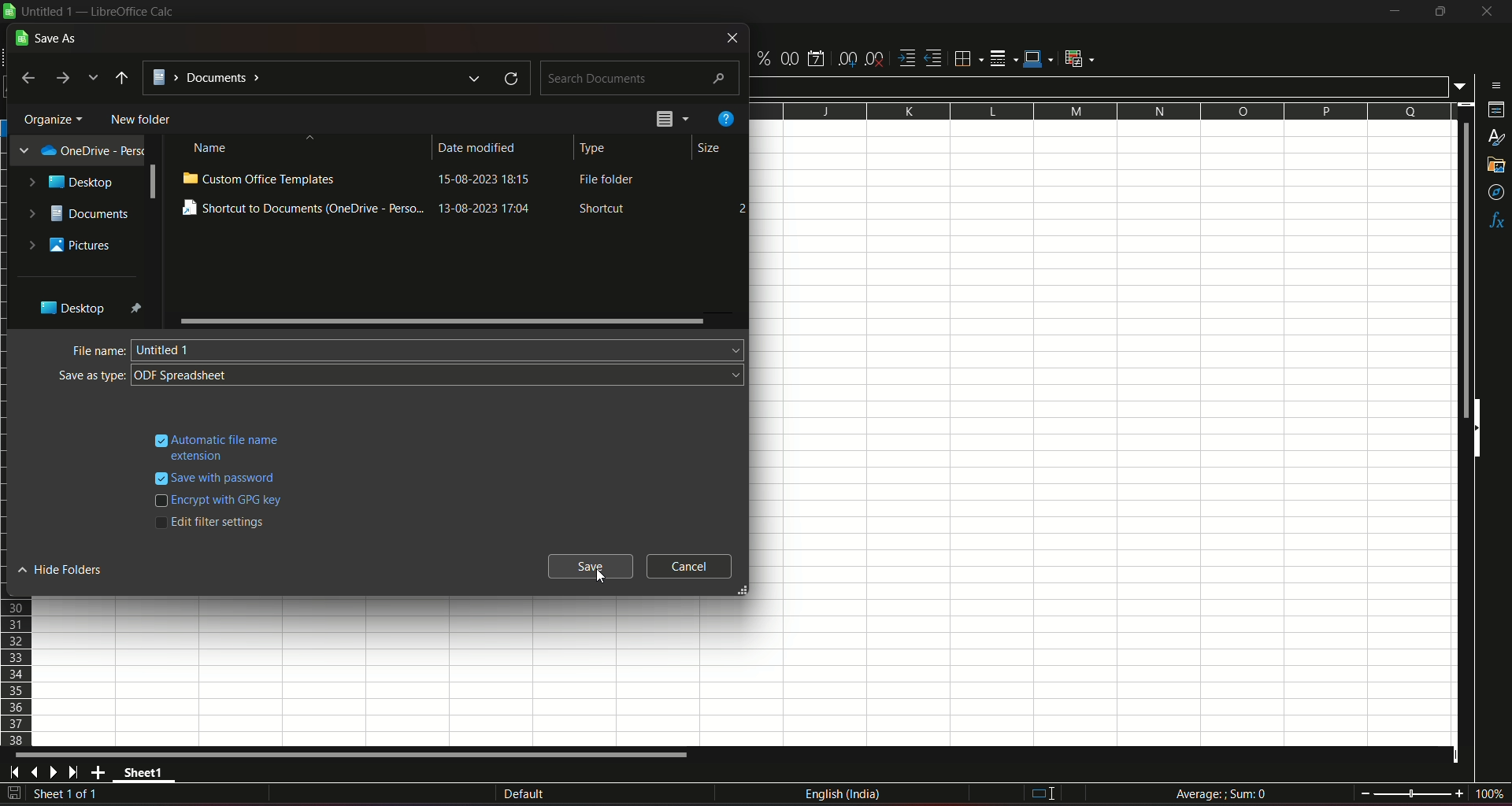 Image resolution: width=1512 pixels, height=806 pixels. I want to click on horizontal scroll, so click(356, 755).